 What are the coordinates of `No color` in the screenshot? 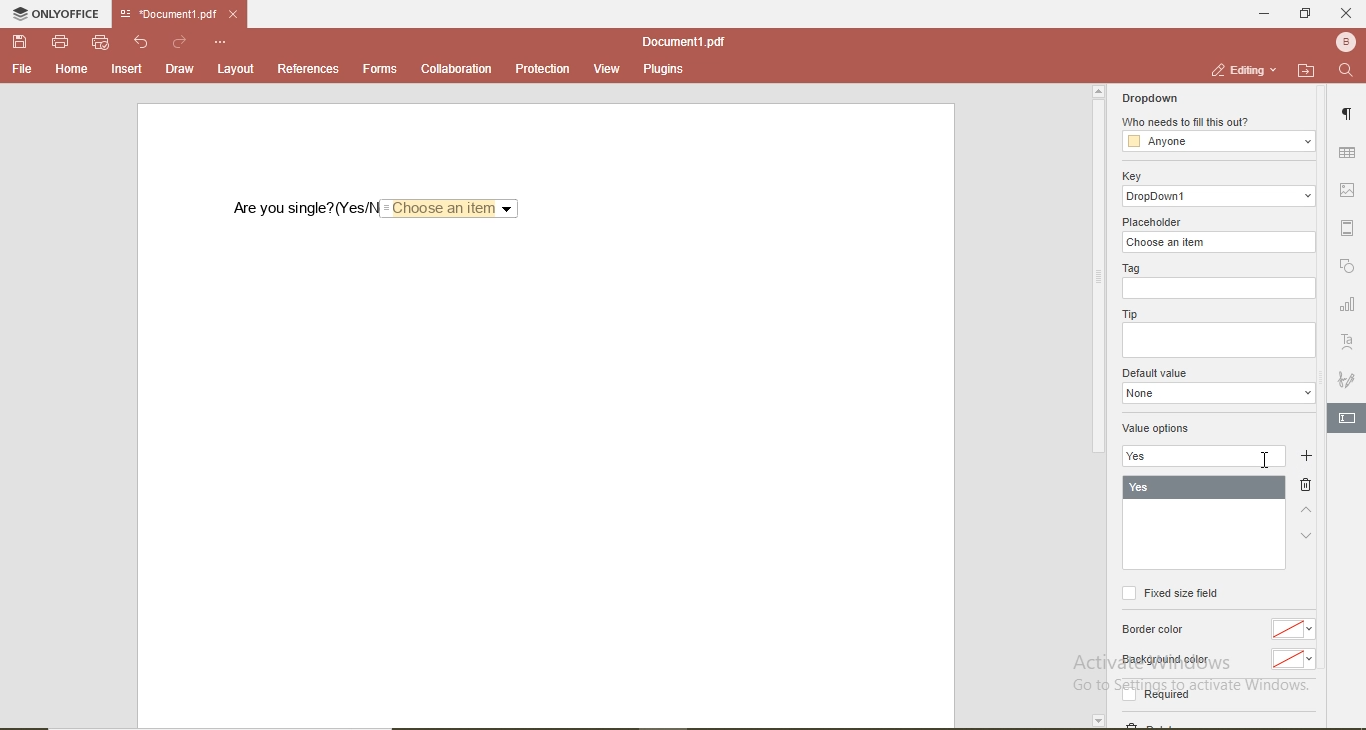 It's located at (1292, 660).